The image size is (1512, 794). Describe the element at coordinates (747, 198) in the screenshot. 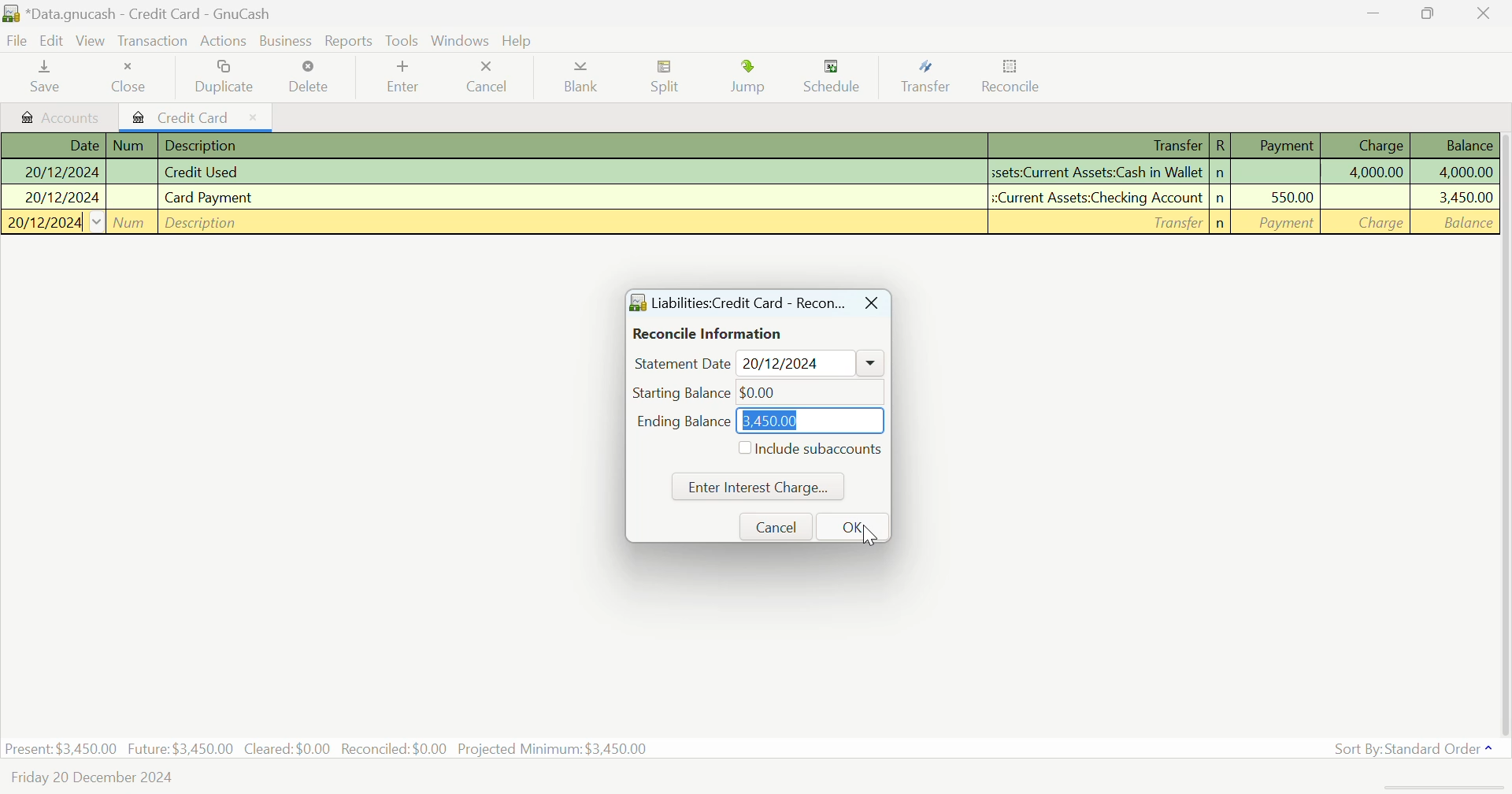

I see `Card Payment Transaction` at that location.